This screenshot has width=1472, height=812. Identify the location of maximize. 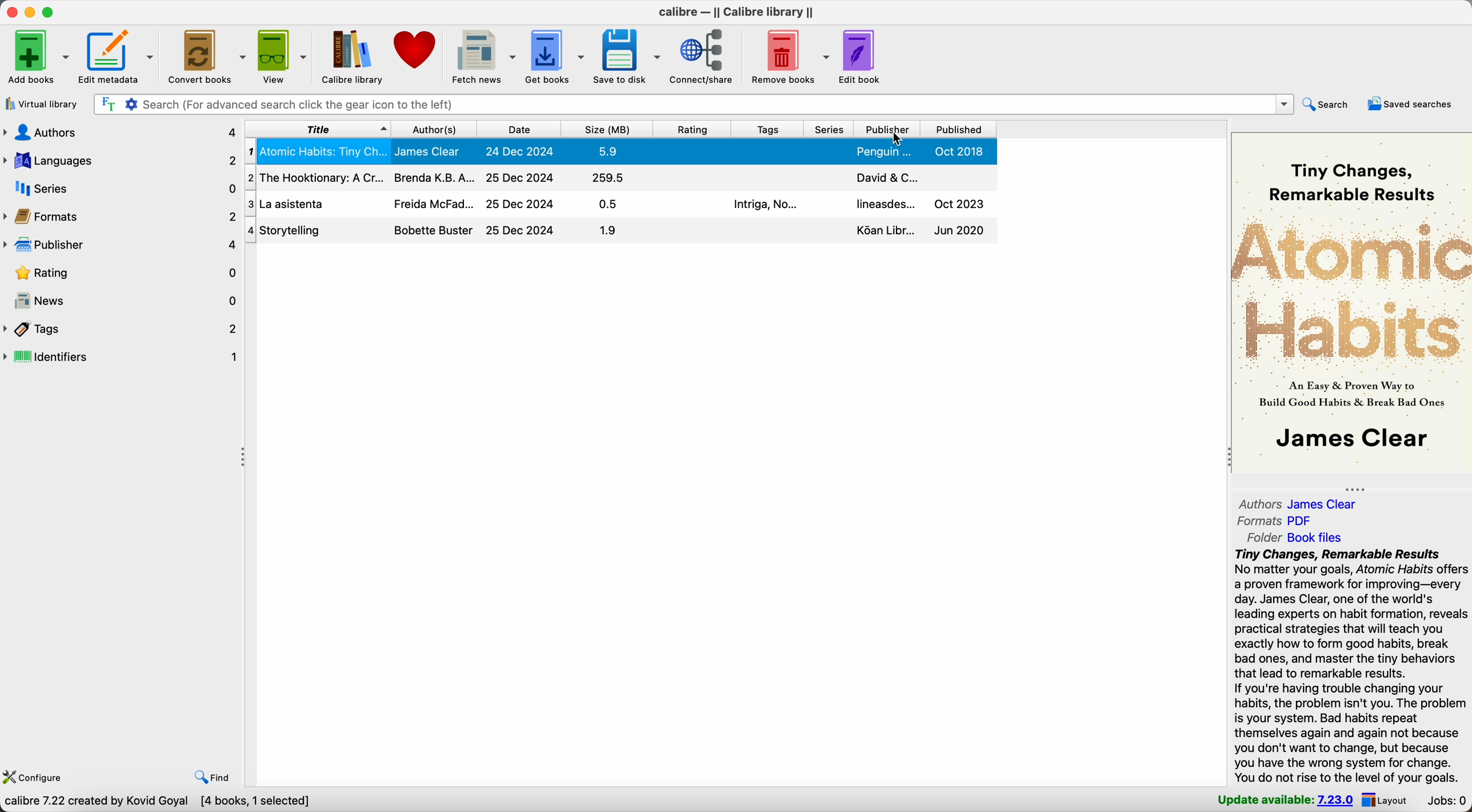
(51, 12).